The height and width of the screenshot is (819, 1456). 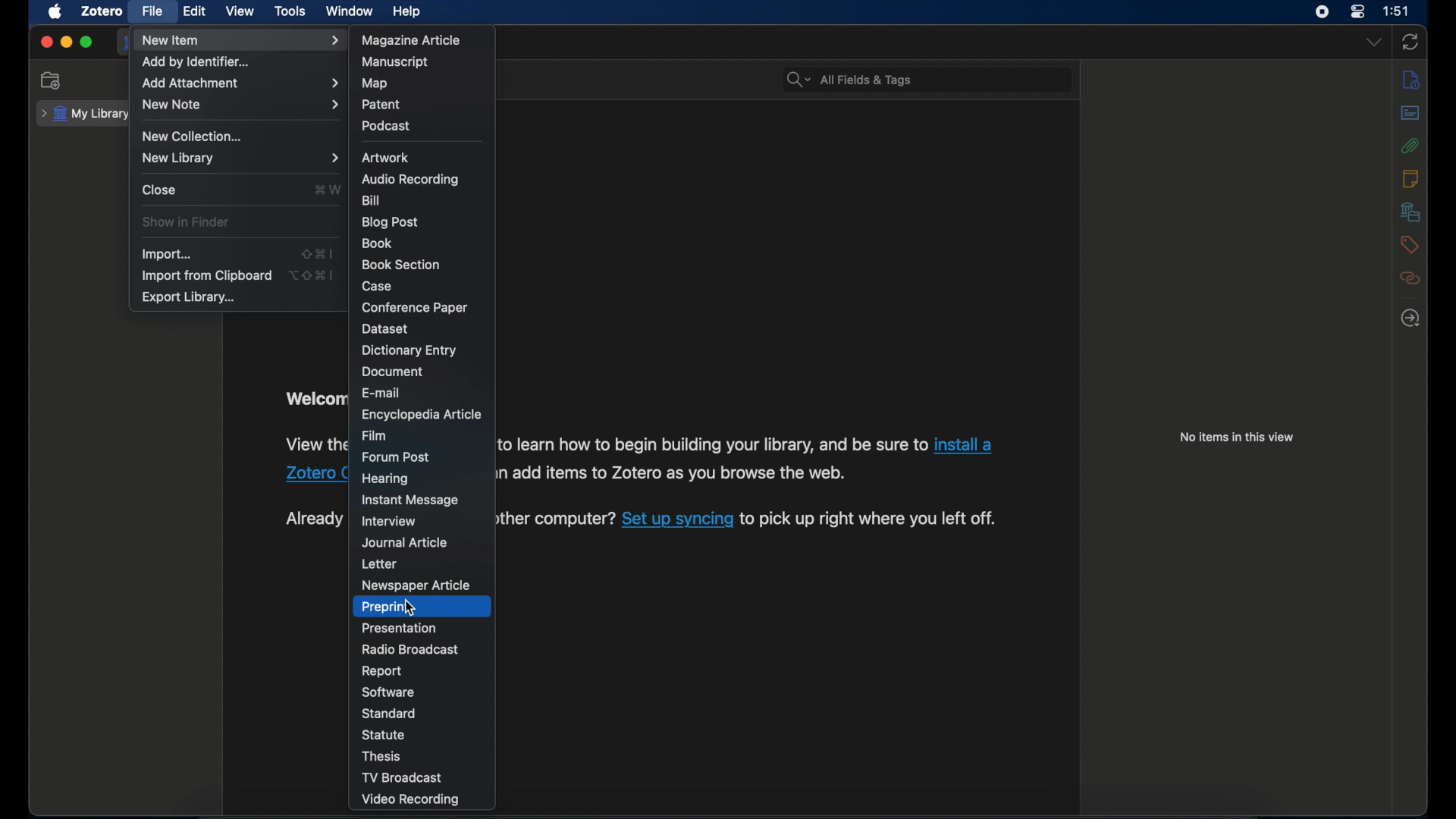 I want to click on zotero, so click(x=102, y=11).